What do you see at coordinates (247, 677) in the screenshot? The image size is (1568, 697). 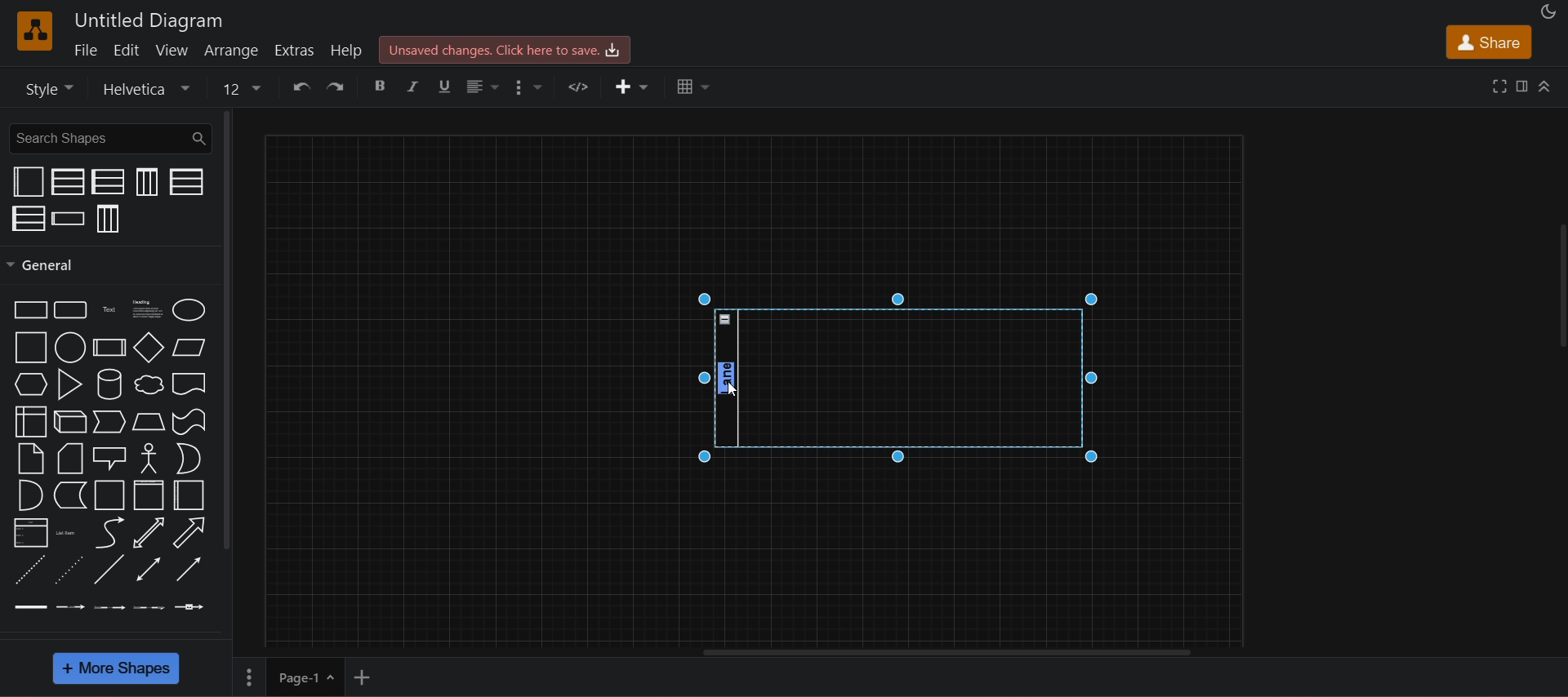 I see `options` at bounding box center [247, 677].